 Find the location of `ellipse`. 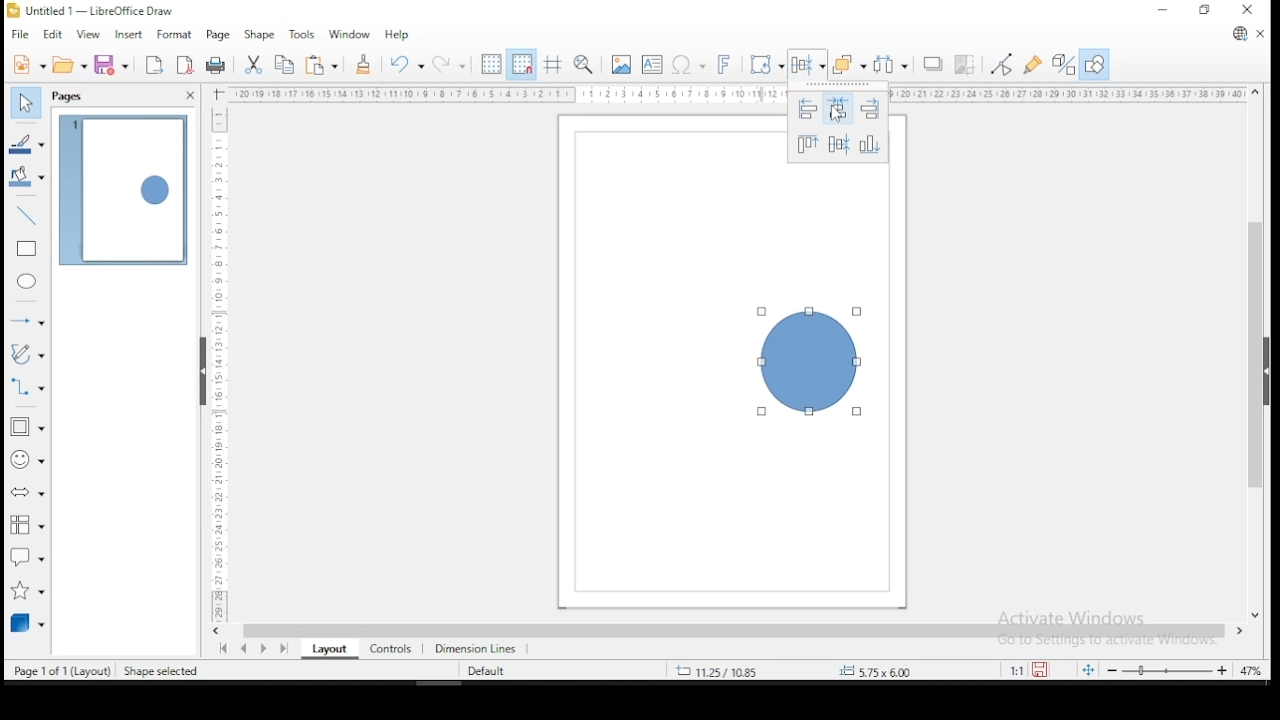

ellipse is located at coordinates (28, 281).